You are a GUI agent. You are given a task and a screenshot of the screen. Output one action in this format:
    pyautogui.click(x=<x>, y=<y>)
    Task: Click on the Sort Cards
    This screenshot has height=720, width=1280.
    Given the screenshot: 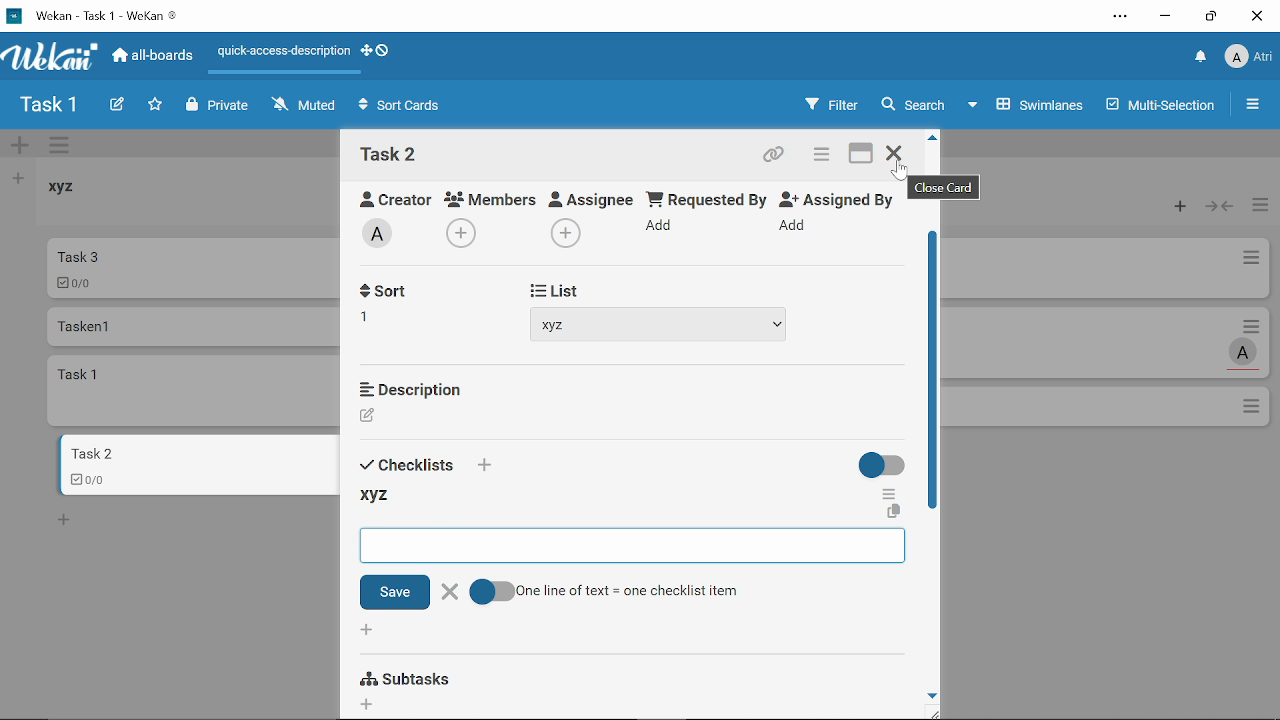 What is the action you would take?
    pyautogui.click(x=404, y=107)
    